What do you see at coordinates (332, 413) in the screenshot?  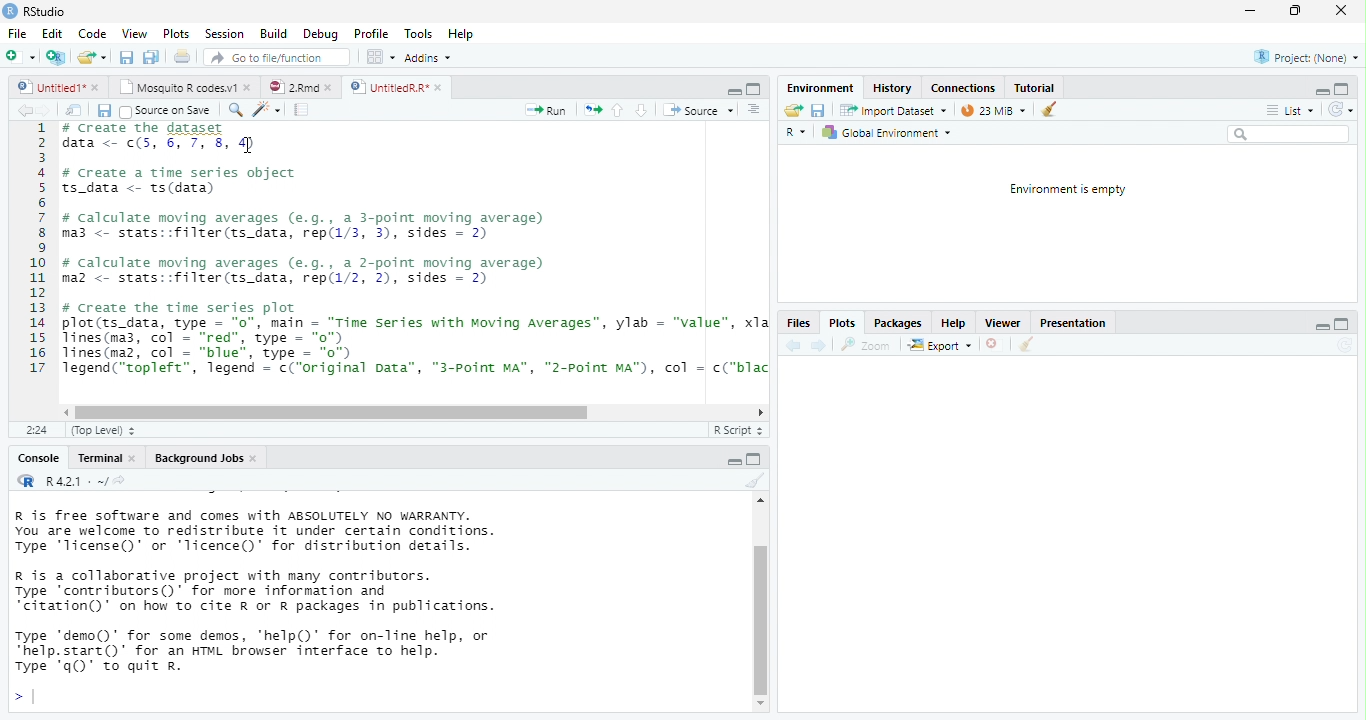 I see `horizontal scrollbar` at bounding box center [332, 413].